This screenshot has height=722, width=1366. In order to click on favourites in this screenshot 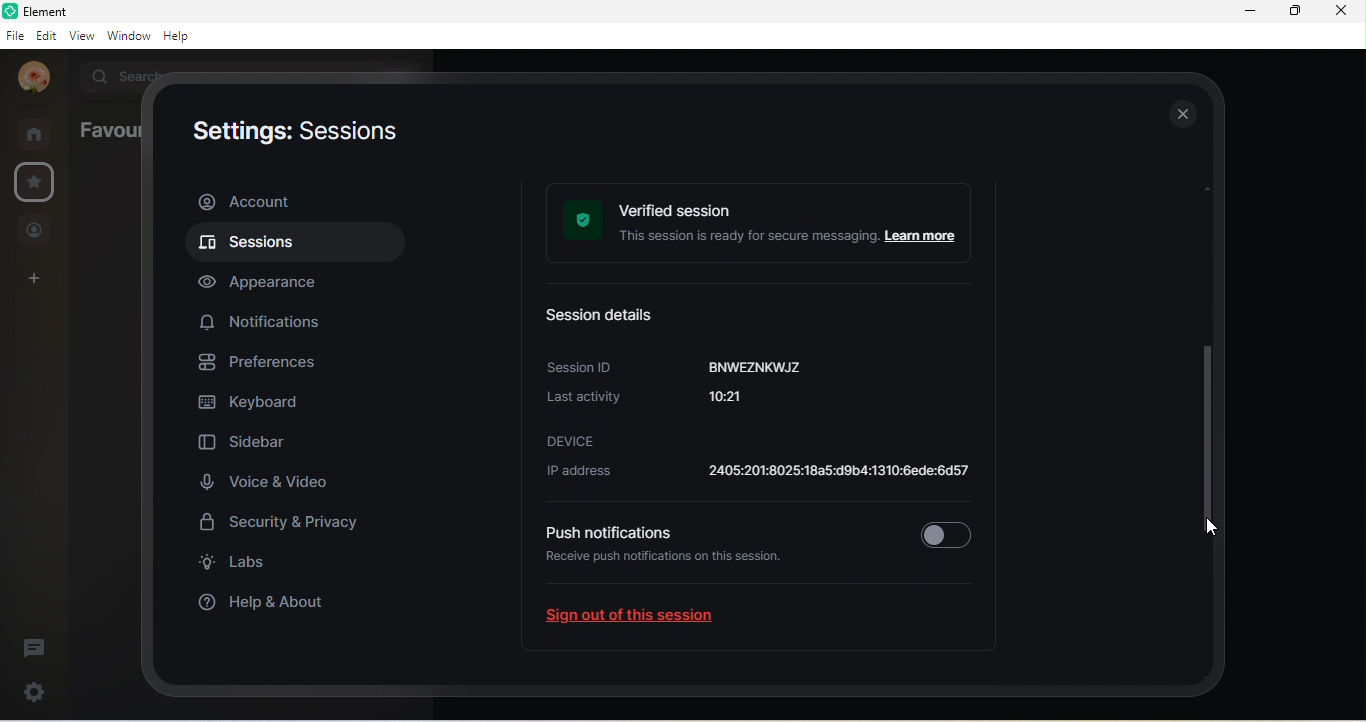, I will do `click(106, 130)`.